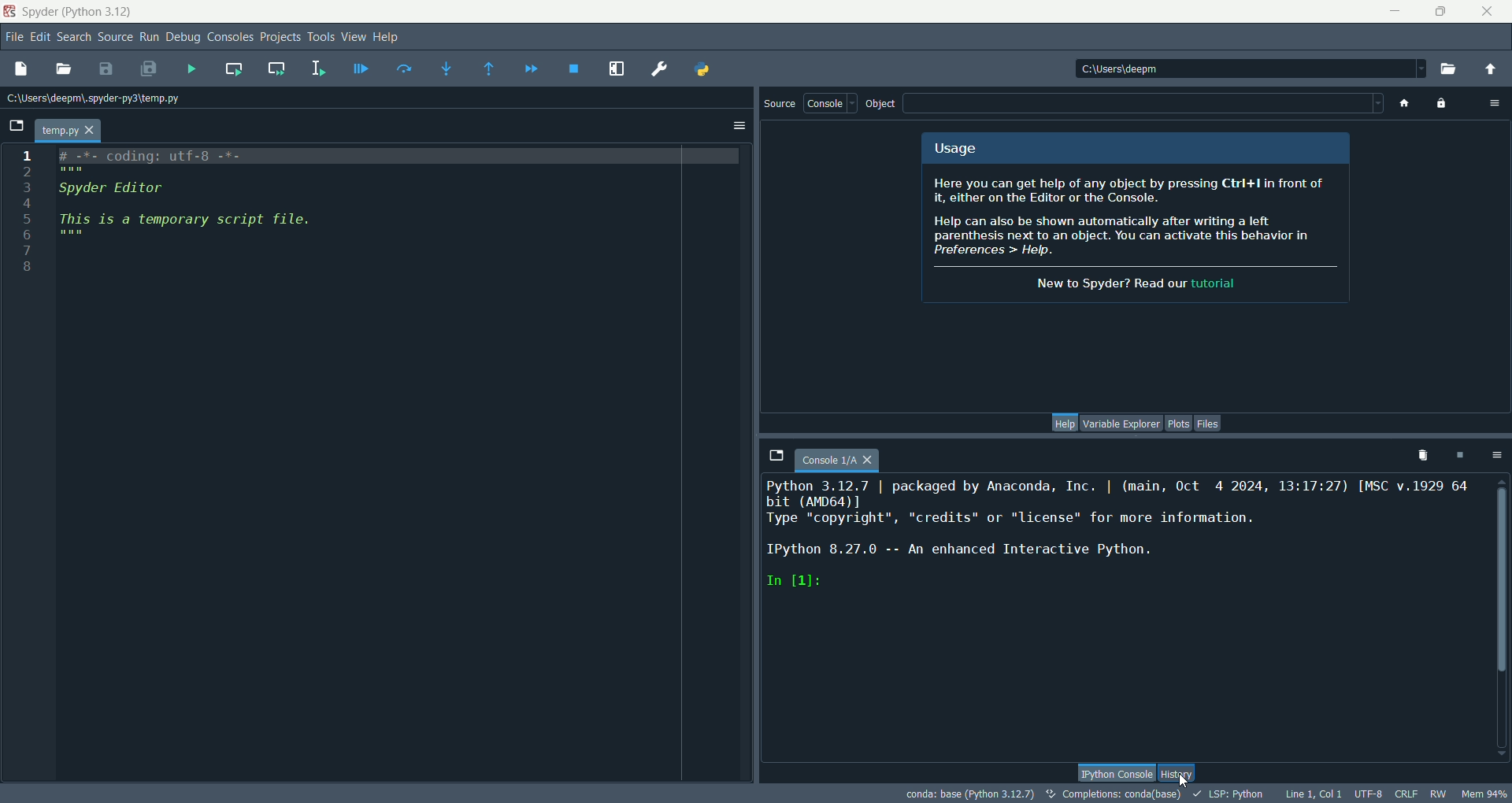 Image resolution: width=1512 pixels, height=803 pixels. What do you see at coordinates (960, 147) in the screenshot?
I see `usage` at bounding box center [960, 147].